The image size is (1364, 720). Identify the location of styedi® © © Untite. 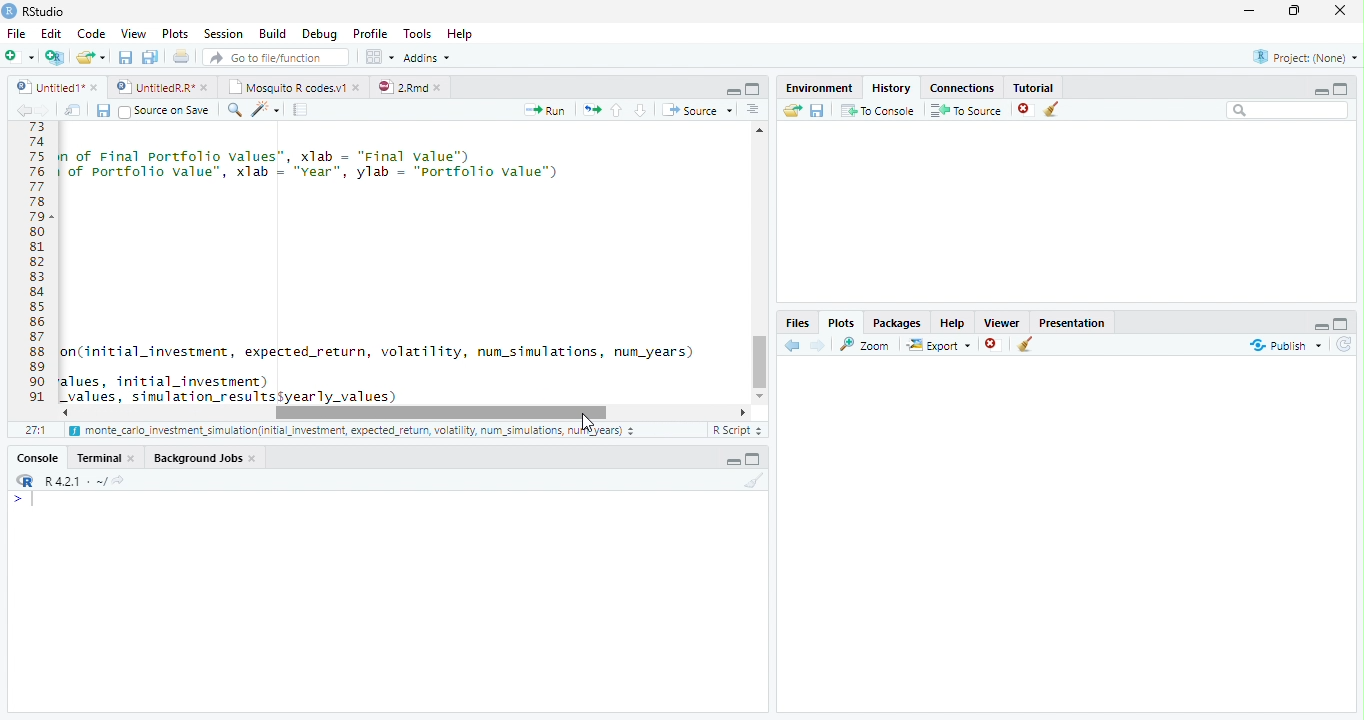
(162, 87).